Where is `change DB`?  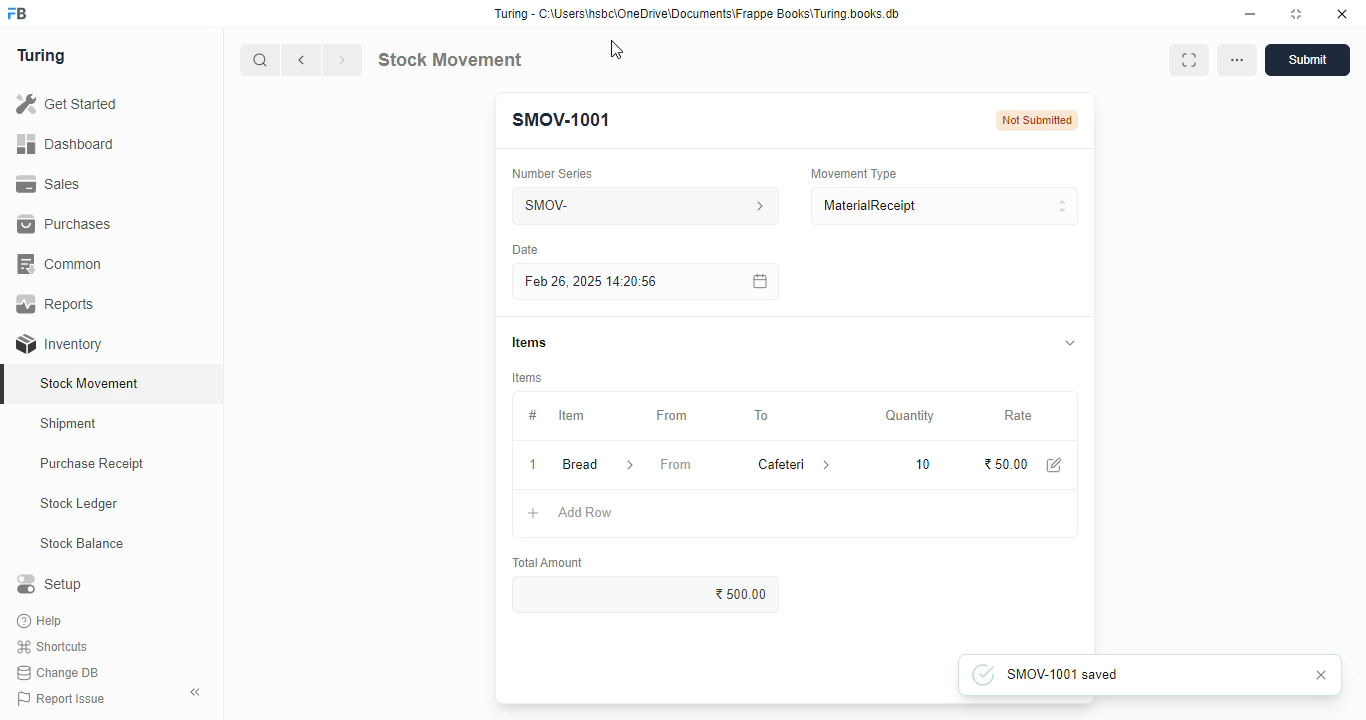
change DB is located at coordinates (58, 673).